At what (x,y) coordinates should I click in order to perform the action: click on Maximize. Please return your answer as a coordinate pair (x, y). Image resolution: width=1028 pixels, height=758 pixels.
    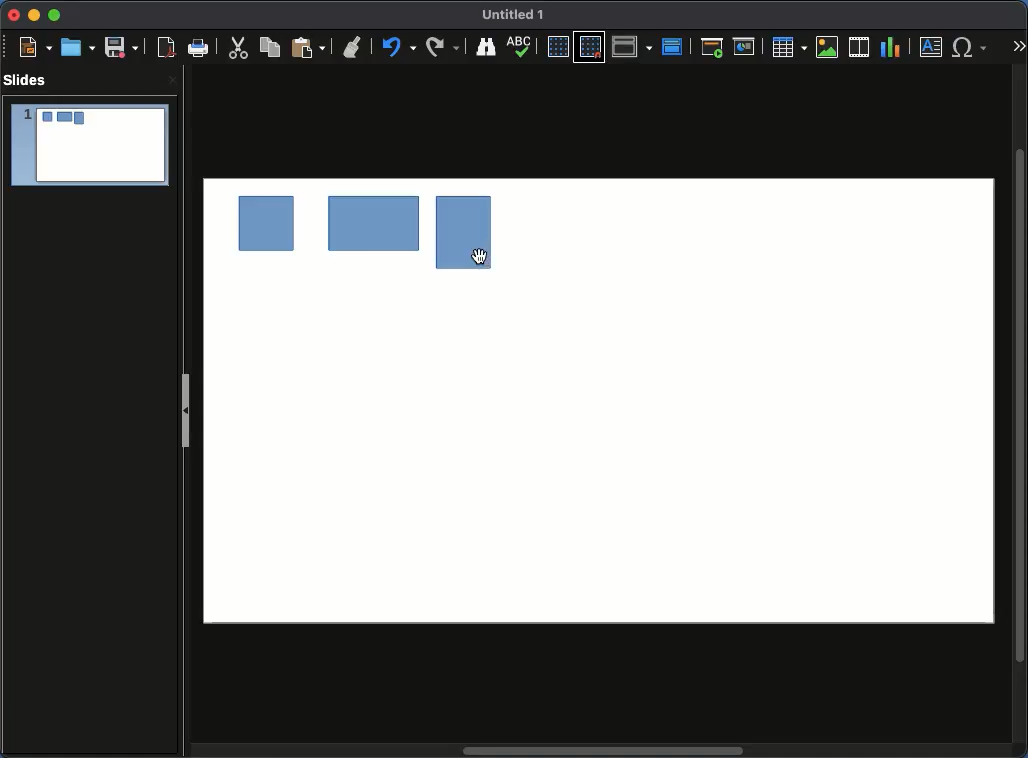
    Looking at the image, I should click on (56, 15).